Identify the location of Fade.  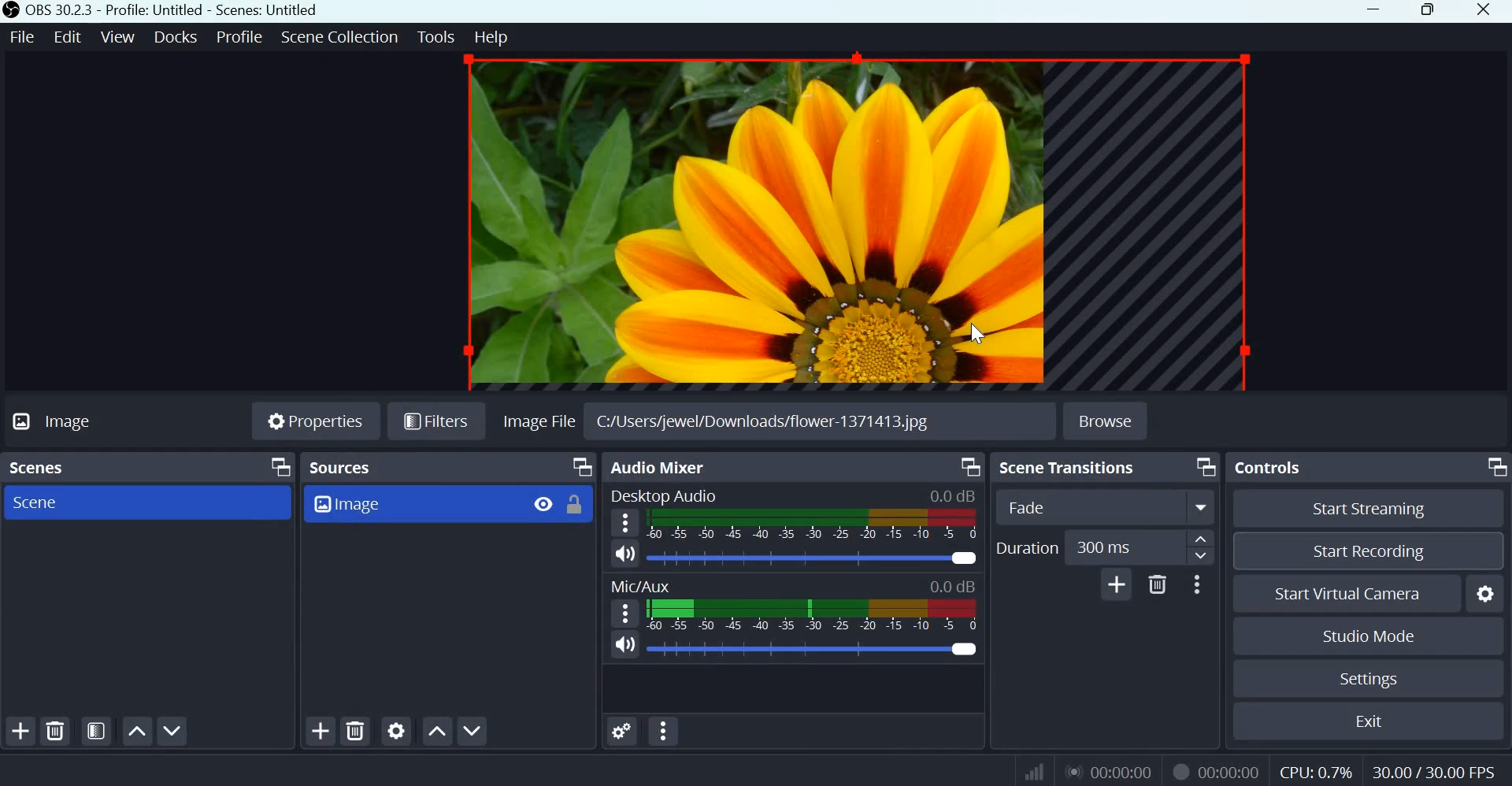
(1084, 506).